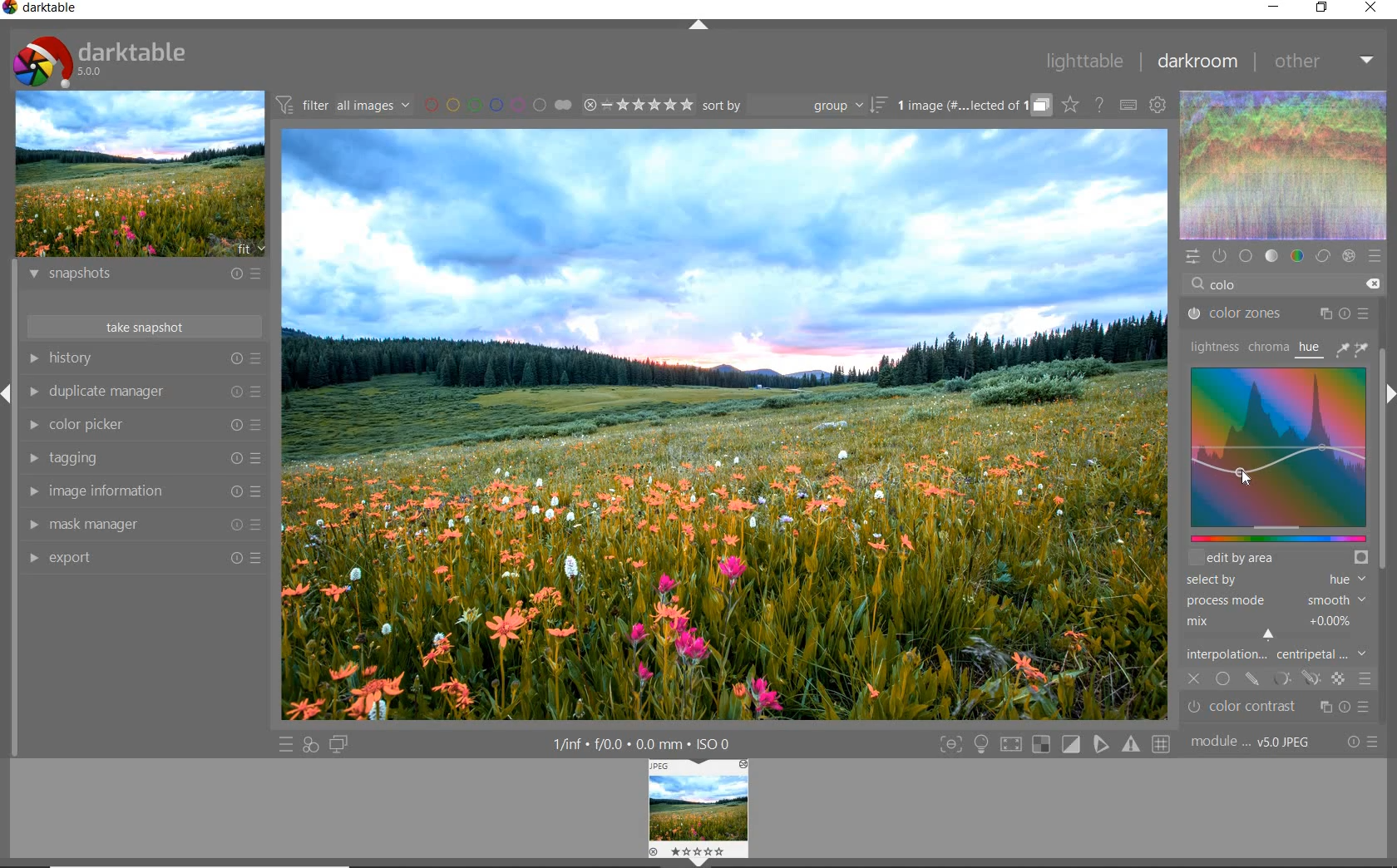 The height and width of the screenshot is (868, 1397). I want to click on mask manager, so click(143, 523).